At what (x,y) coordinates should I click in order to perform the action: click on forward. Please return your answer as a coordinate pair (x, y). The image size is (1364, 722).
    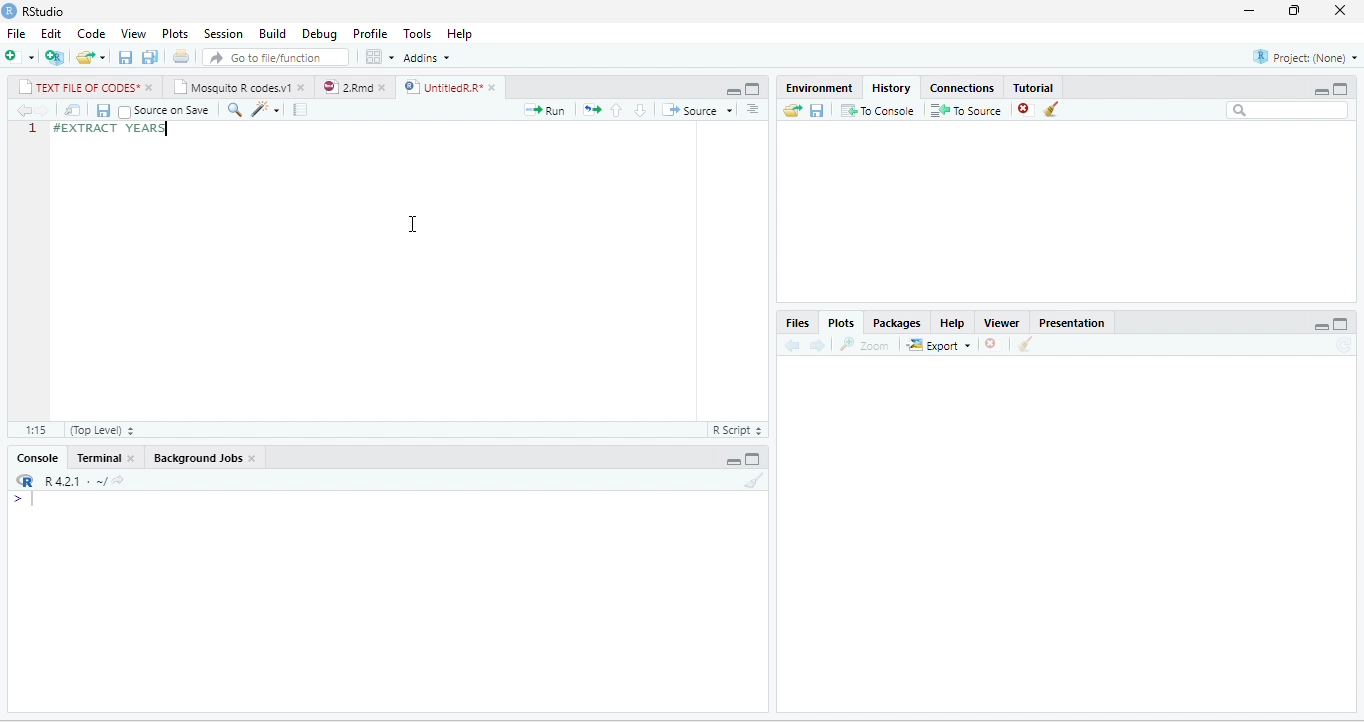
    Looking at the image, I should click on (43, 110).